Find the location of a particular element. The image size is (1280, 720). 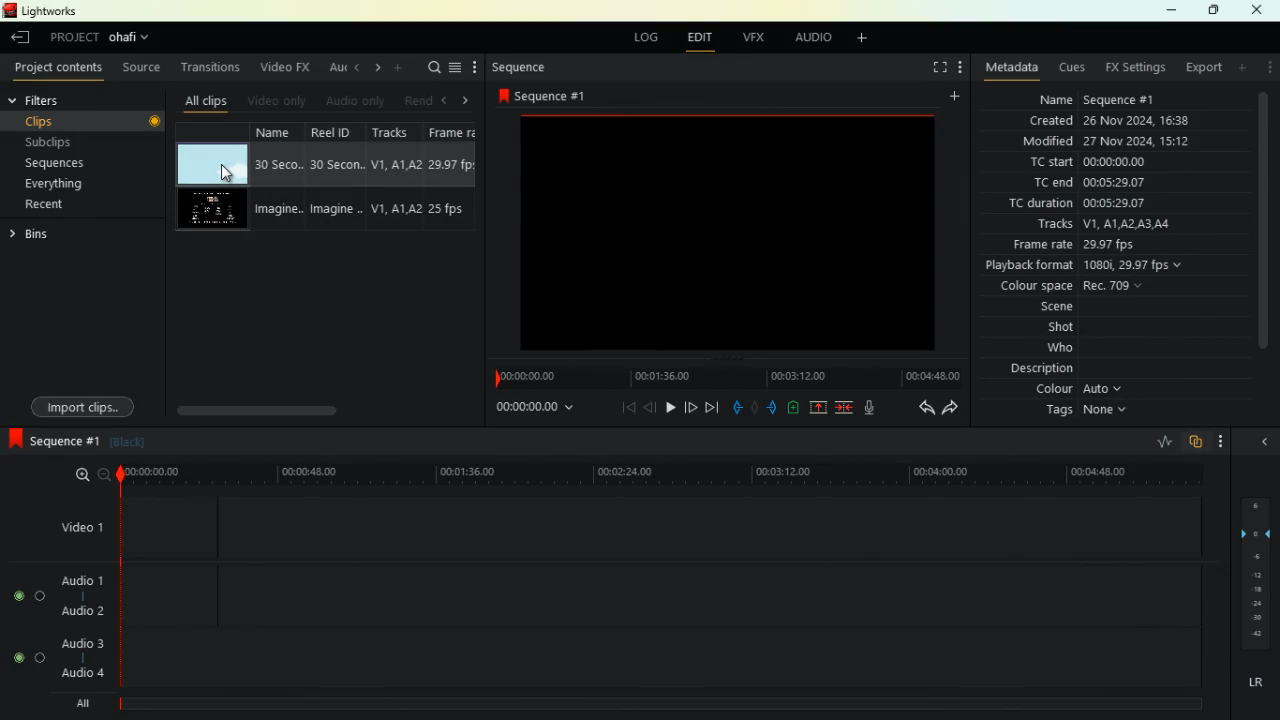

rate is located at coordinates (1165, 442).